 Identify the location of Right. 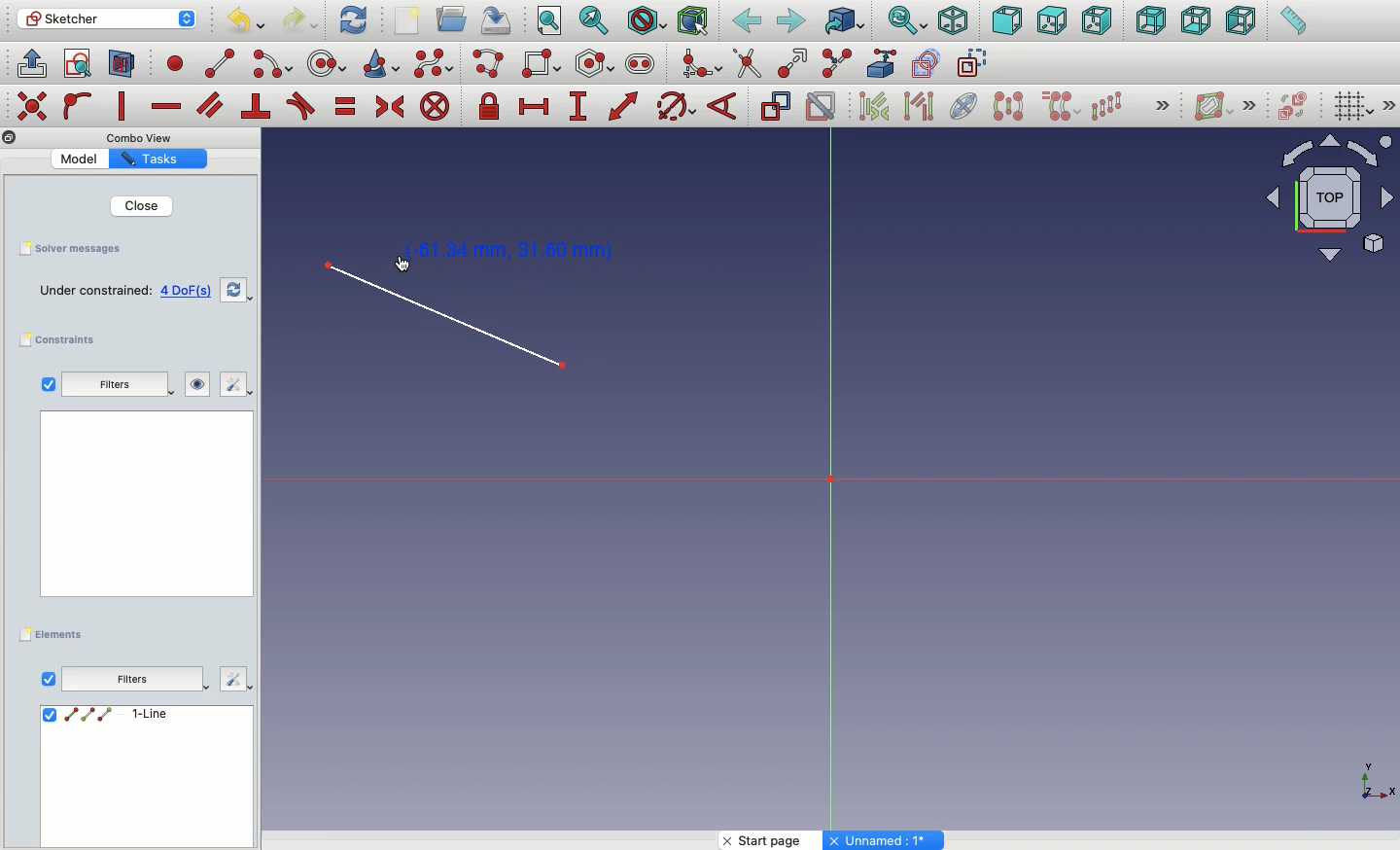
(1098, 22).